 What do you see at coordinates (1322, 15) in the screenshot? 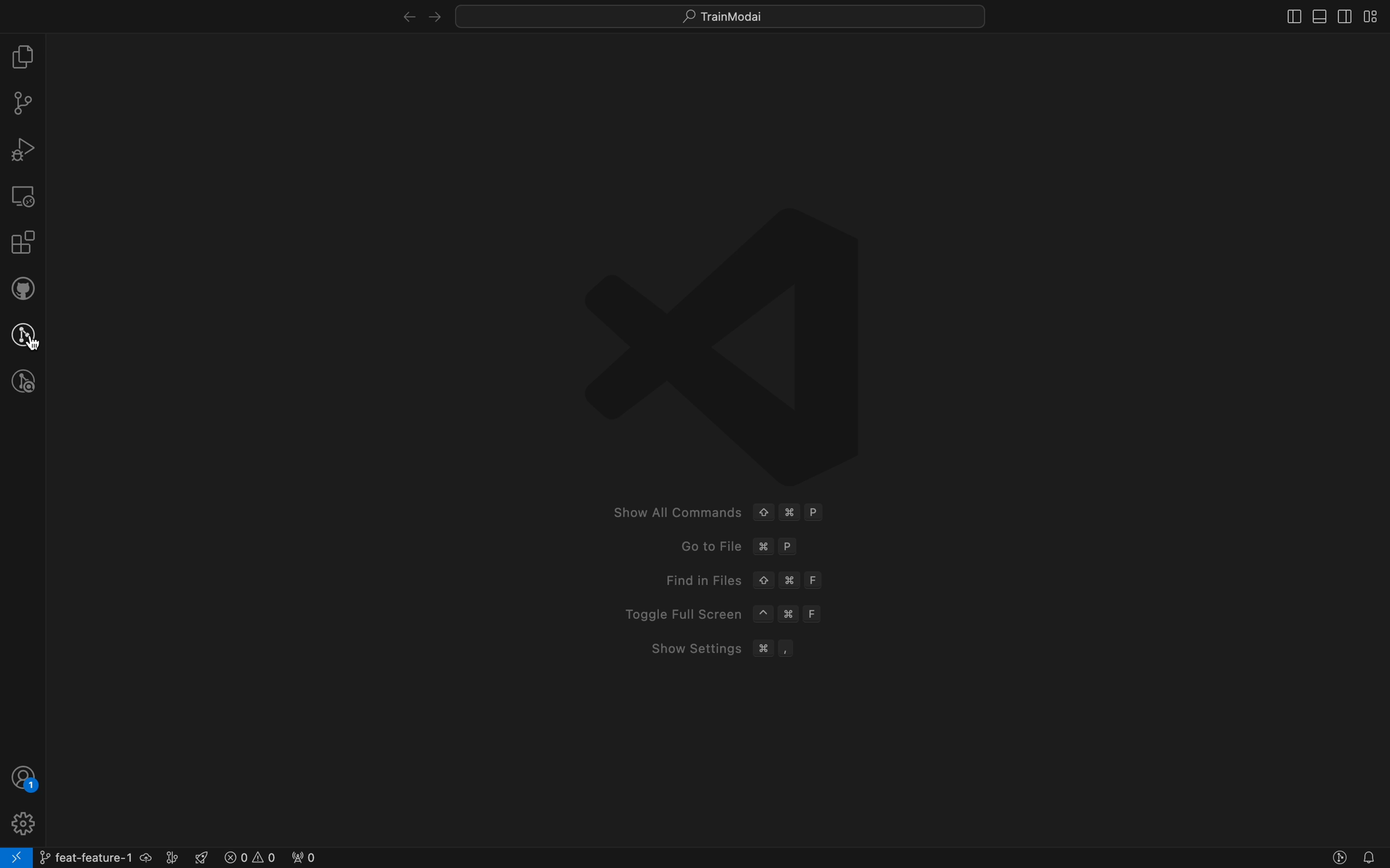
I see `toggle primary bar` at bounding box center [1322, 15].